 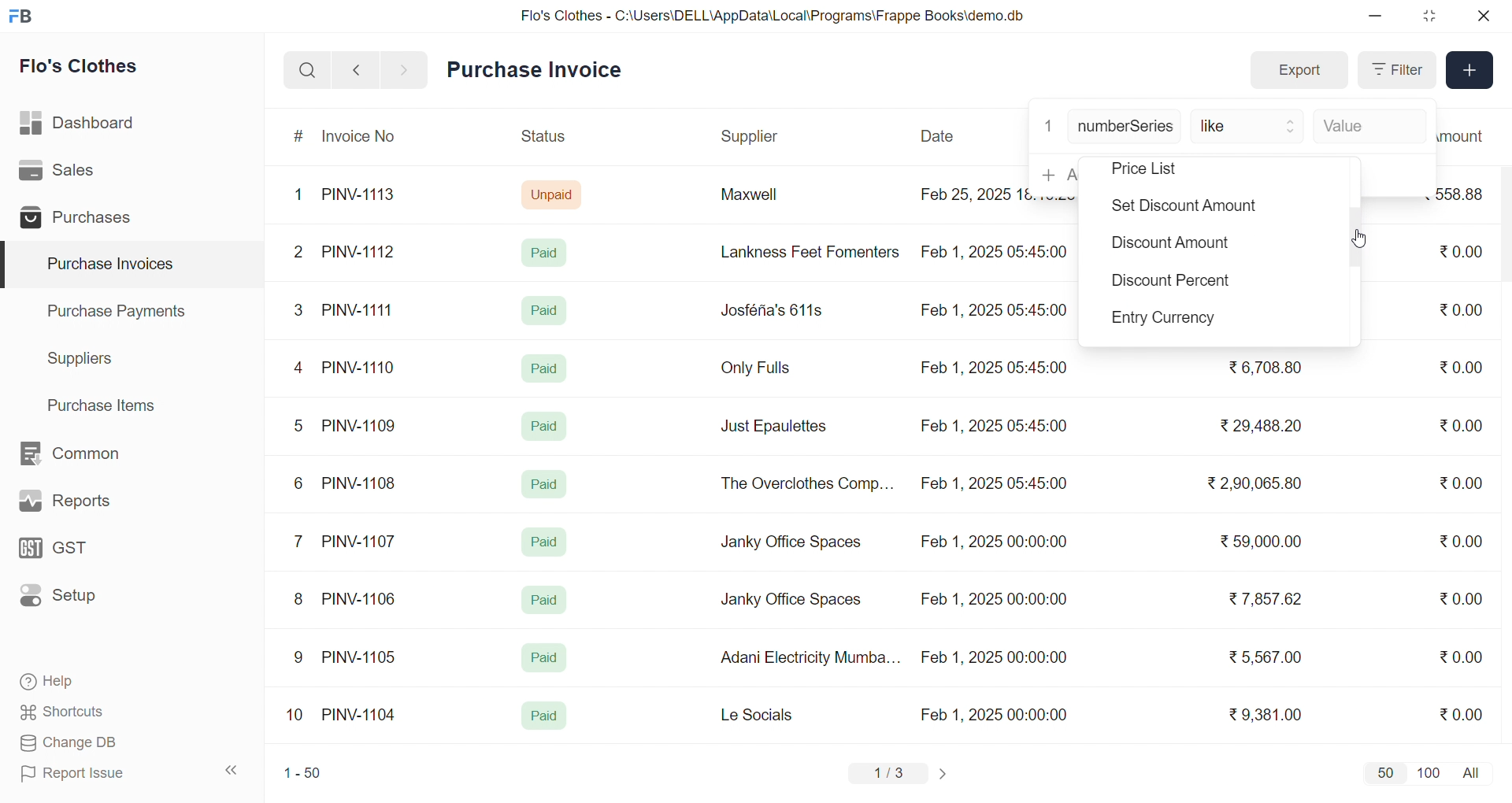 I want to click on Flo's Clothes - C:\Users\DELL\AppData\Local\Programs\Frappe Books\demo.db, so click(x=773, y=16).